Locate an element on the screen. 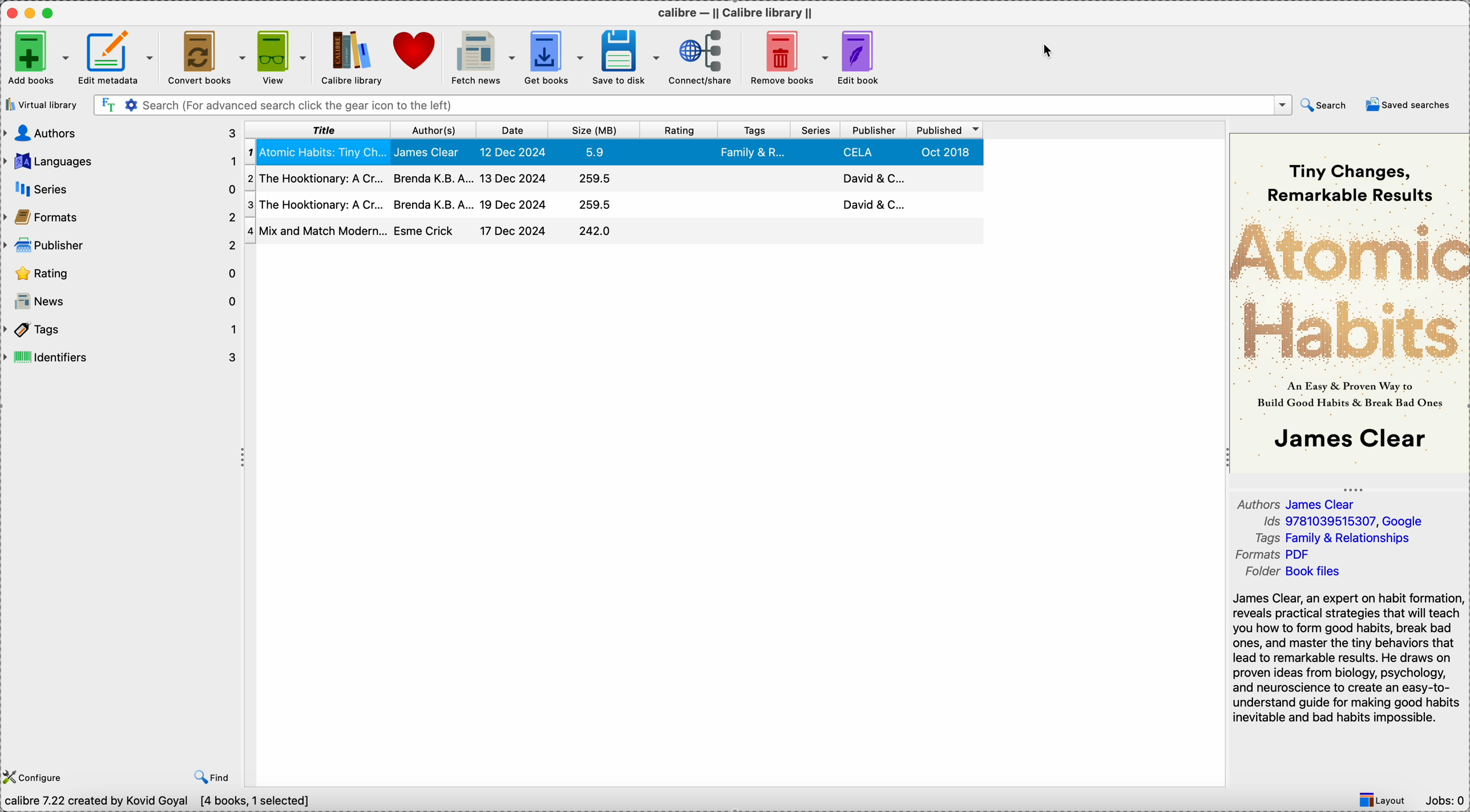  search is located at coordinates (1326, 106).